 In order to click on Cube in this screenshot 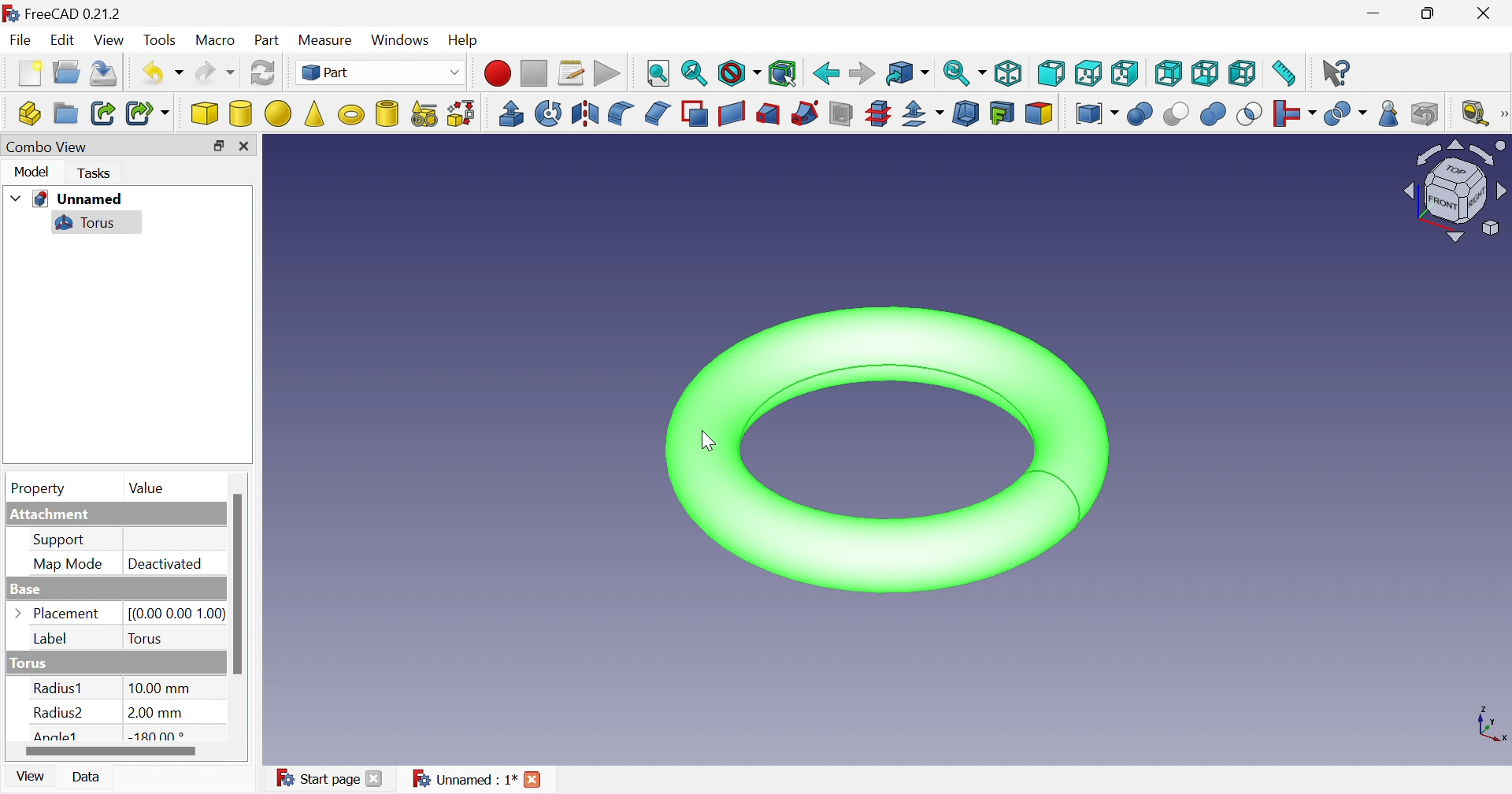, I will do `click(202, 113)`.